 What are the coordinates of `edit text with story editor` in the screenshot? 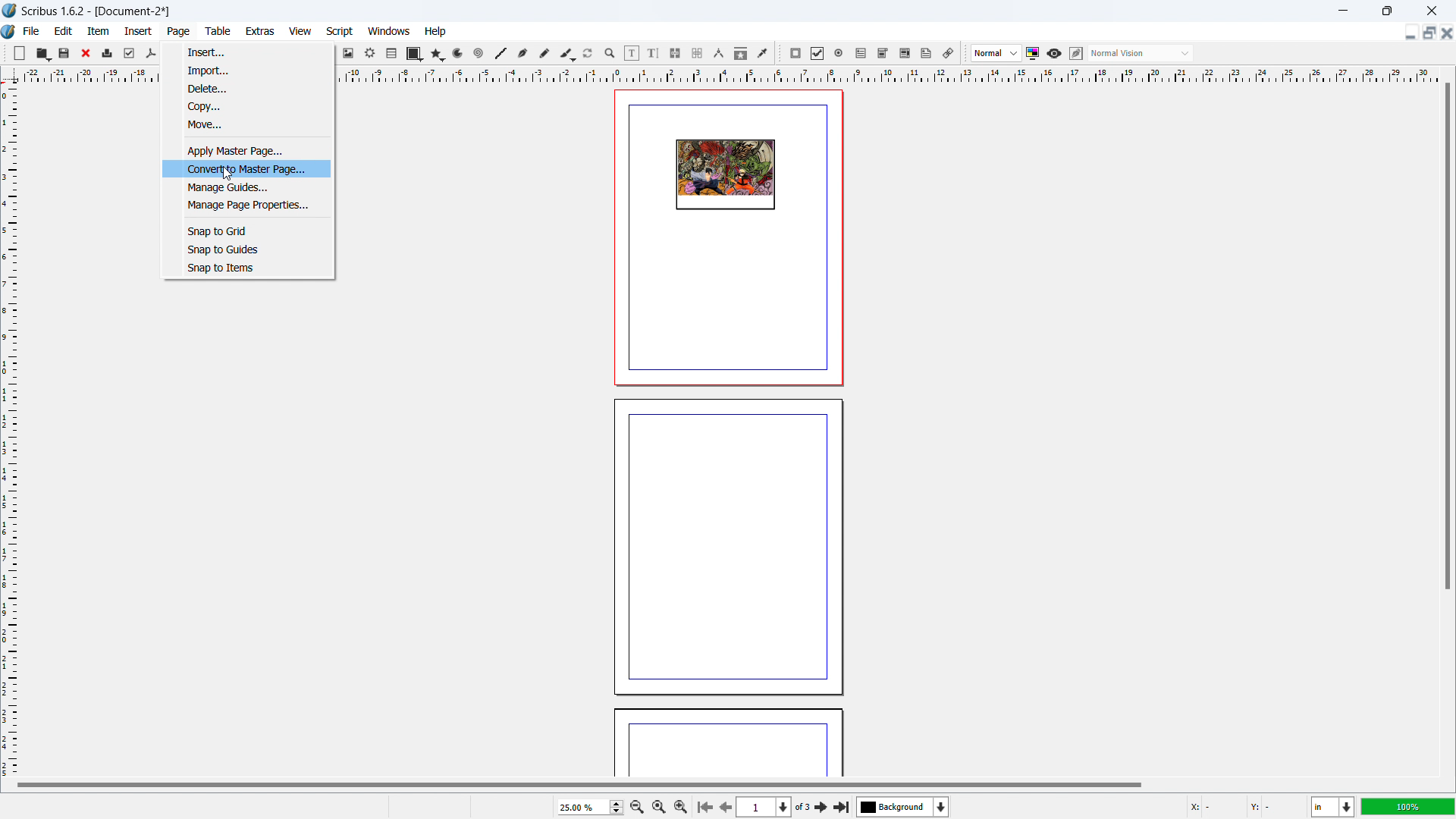 It's located at (653, 53).